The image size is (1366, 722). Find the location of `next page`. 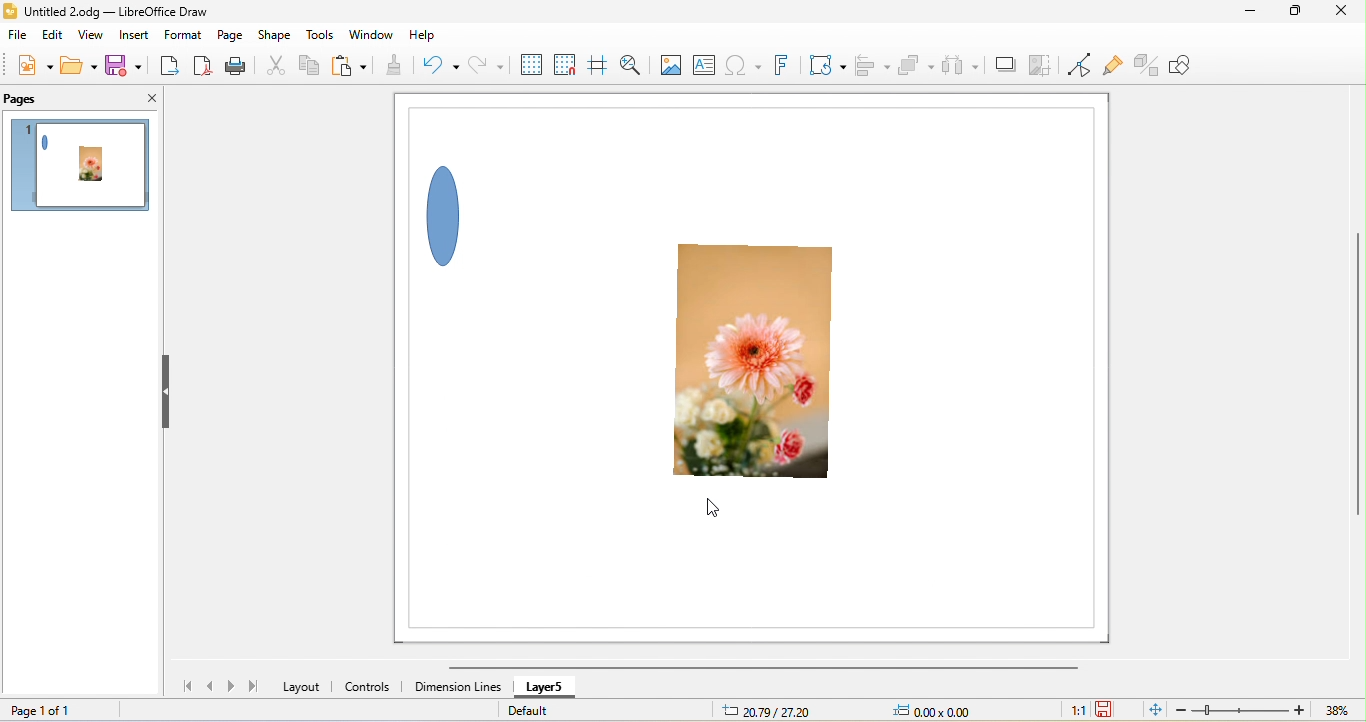

next page is located at coordinates (234, 686).